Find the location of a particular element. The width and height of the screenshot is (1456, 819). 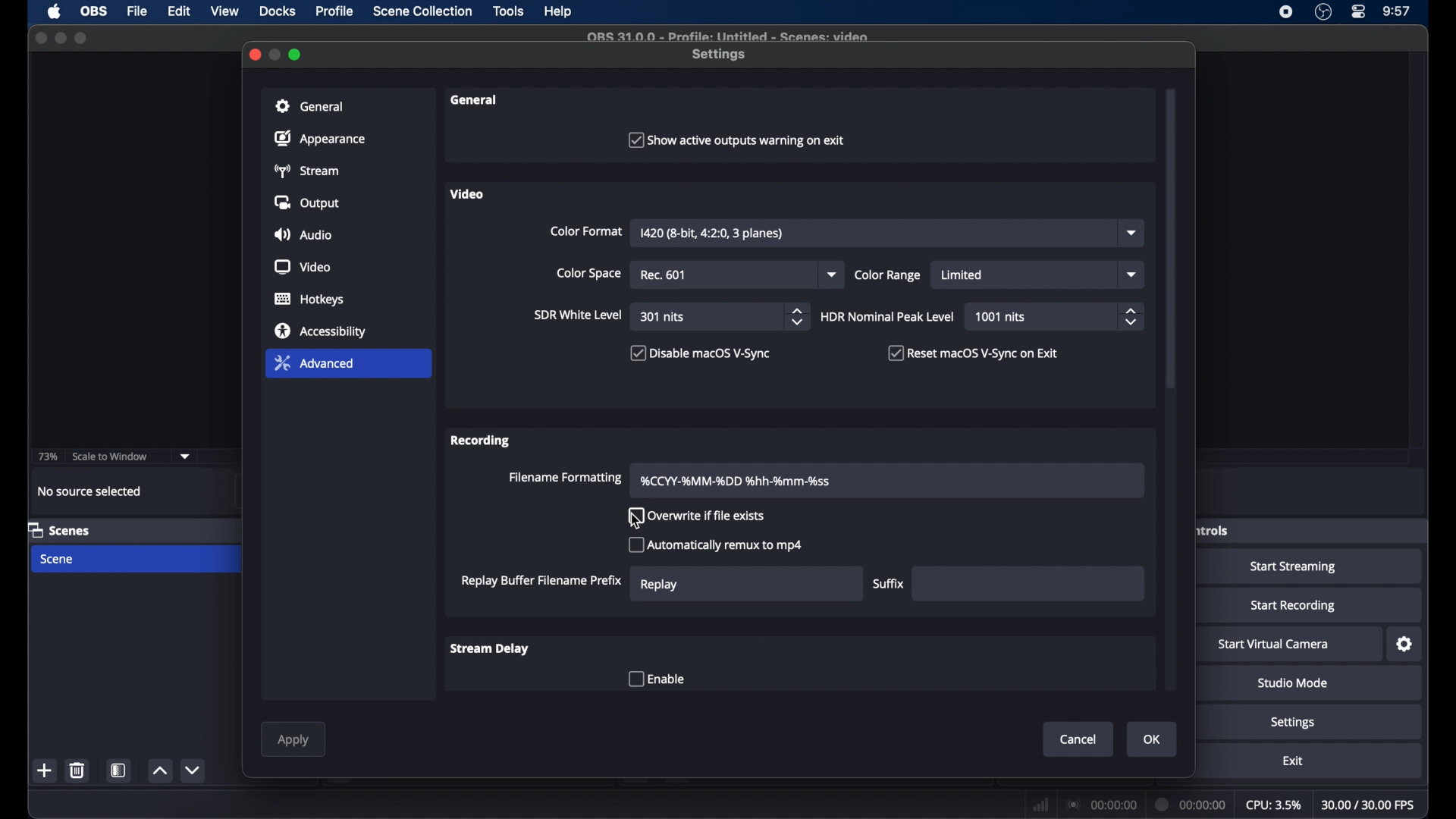

no source selected is located at coordinates (90, 491).